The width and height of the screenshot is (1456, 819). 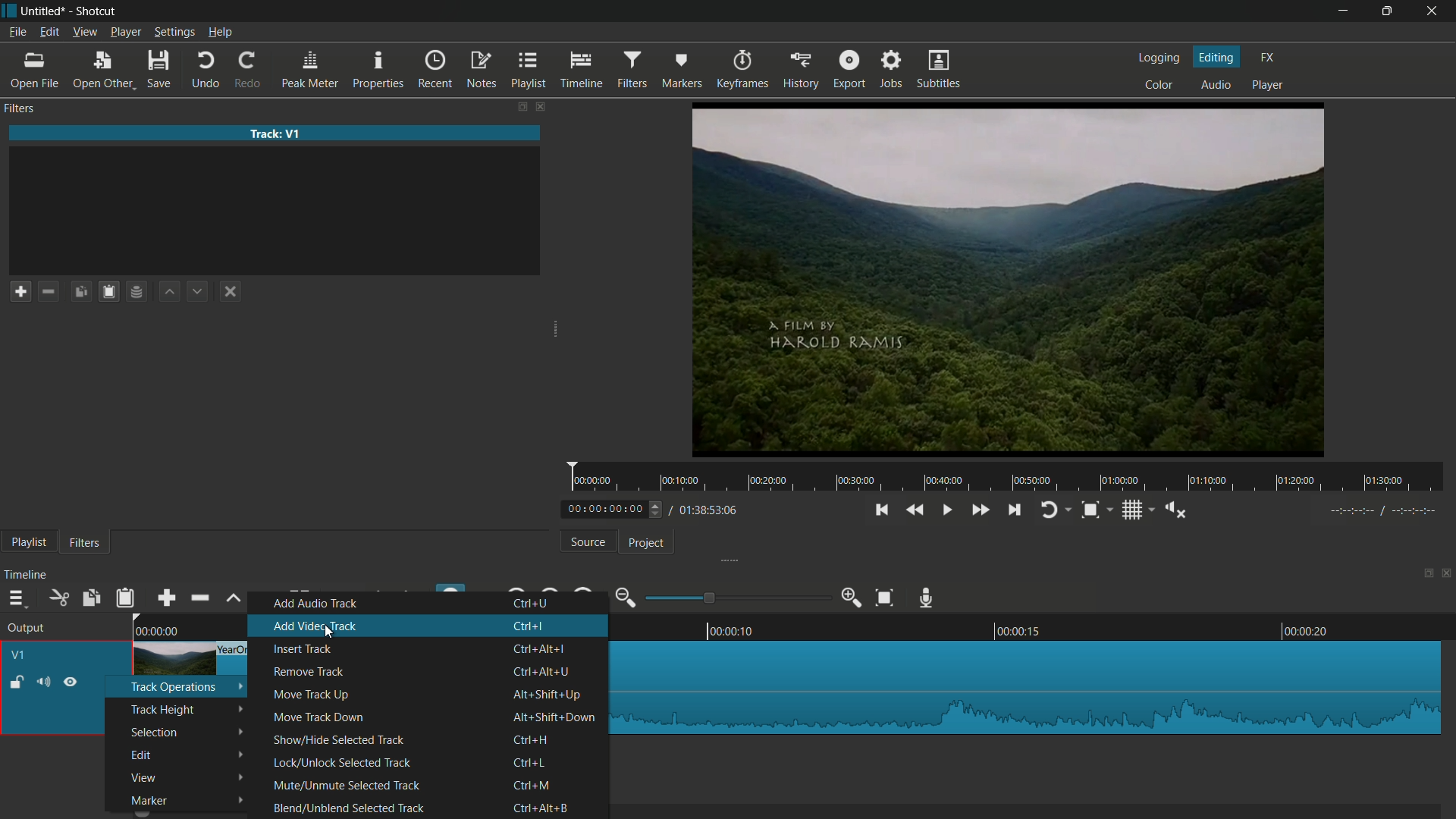 I want to click on key shortcut, so click(x=532, y=786).